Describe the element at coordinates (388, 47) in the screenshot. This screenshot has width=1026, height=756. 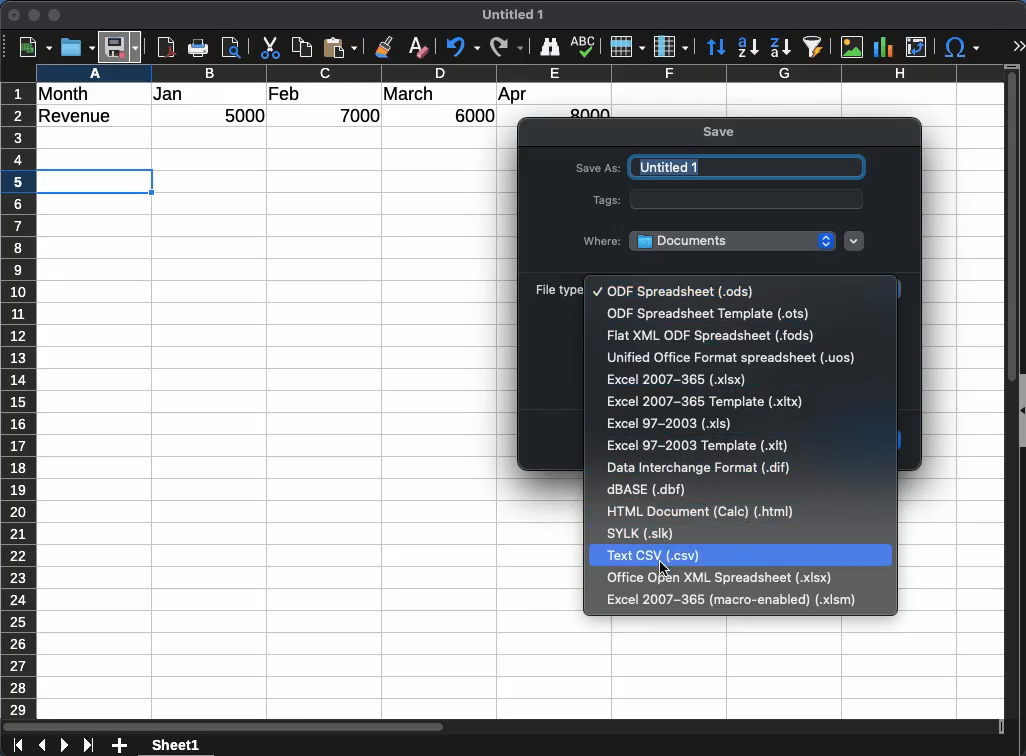
I see `clone formatting` at that location.